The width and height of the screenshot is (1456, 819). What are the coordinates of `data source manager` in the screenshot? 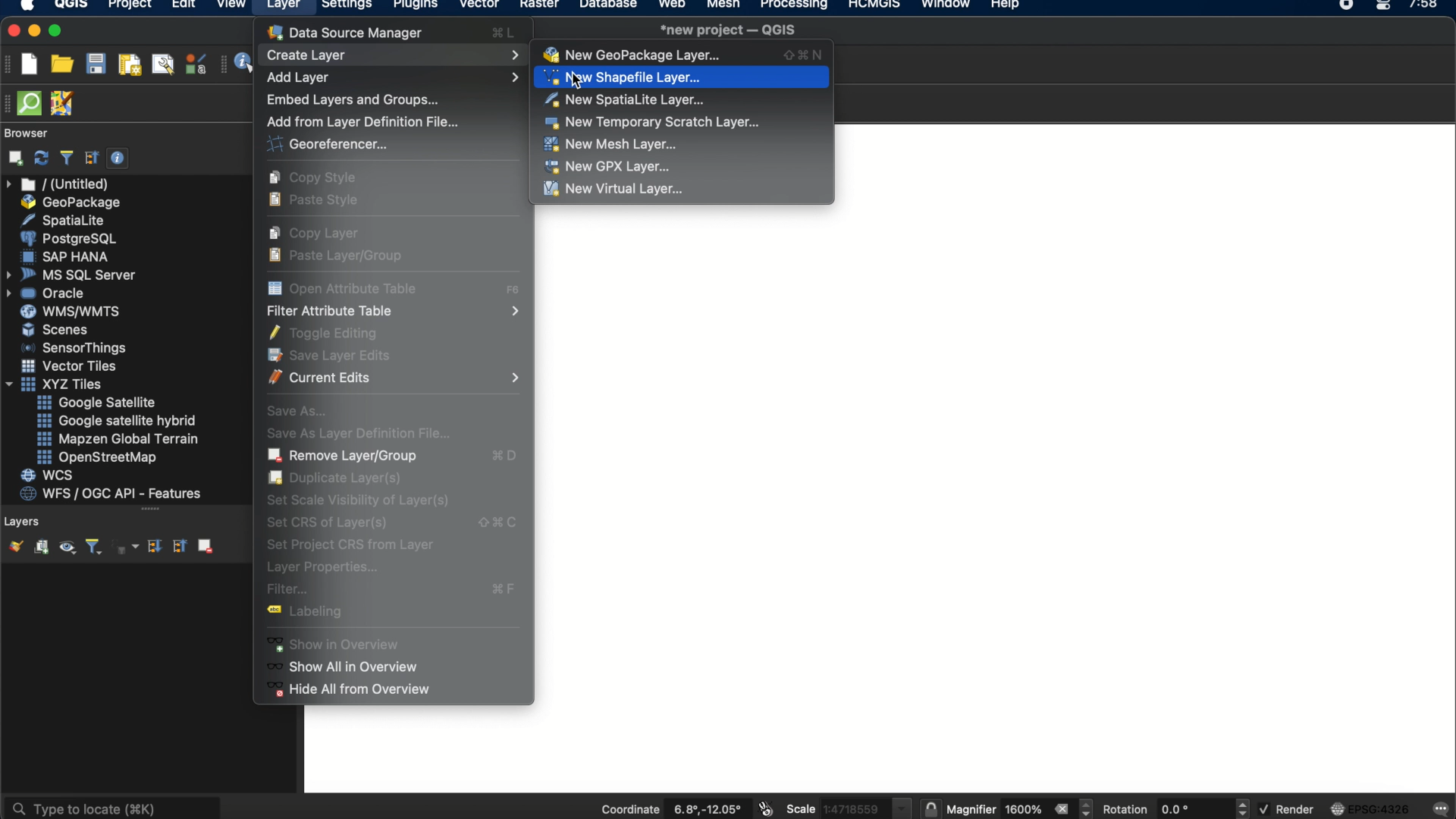 It's located at (390, 32).